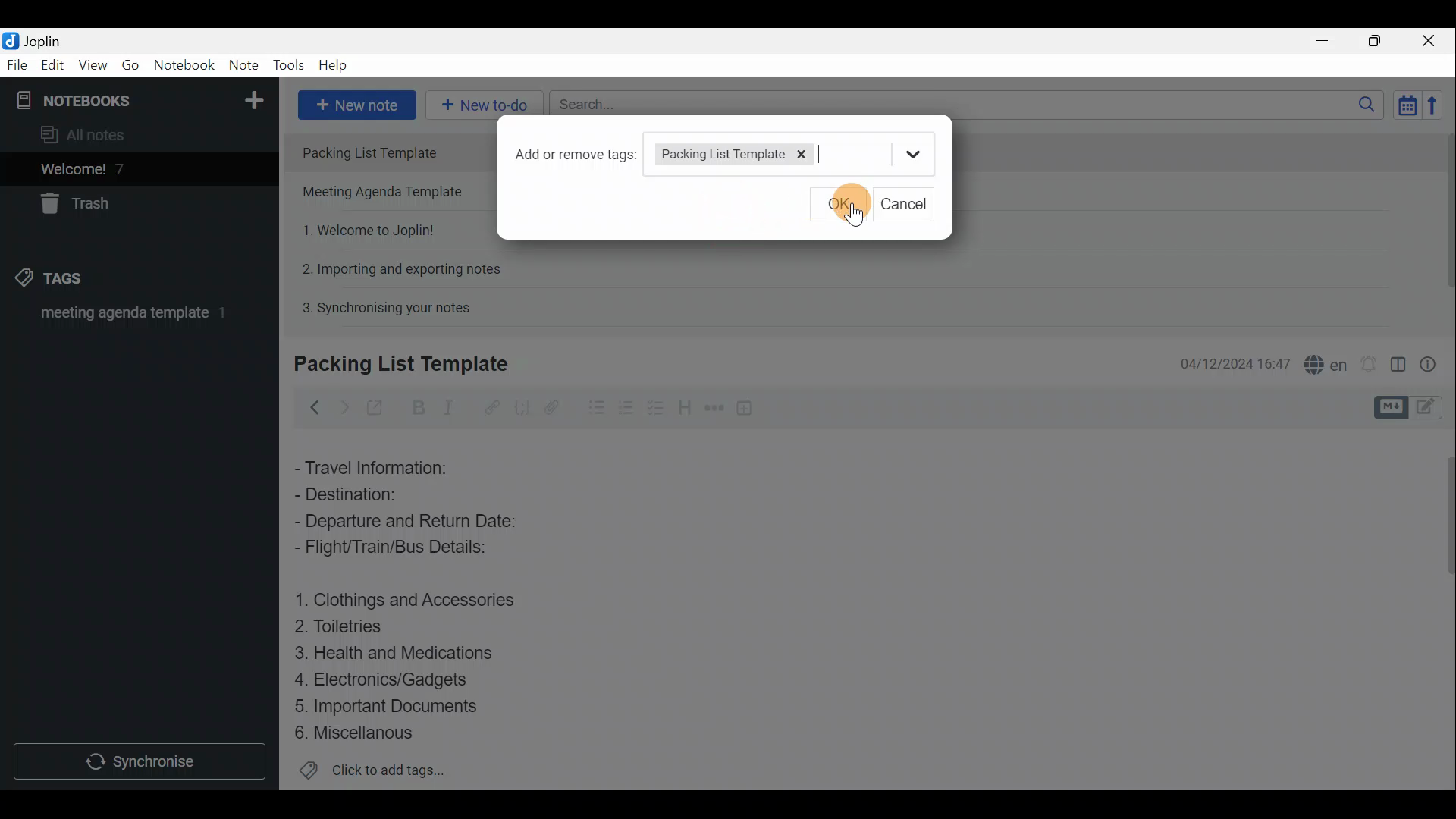  Describe the element at coordinates (376, 406) in the screenshot. I see `Toggle external editing` at that location.